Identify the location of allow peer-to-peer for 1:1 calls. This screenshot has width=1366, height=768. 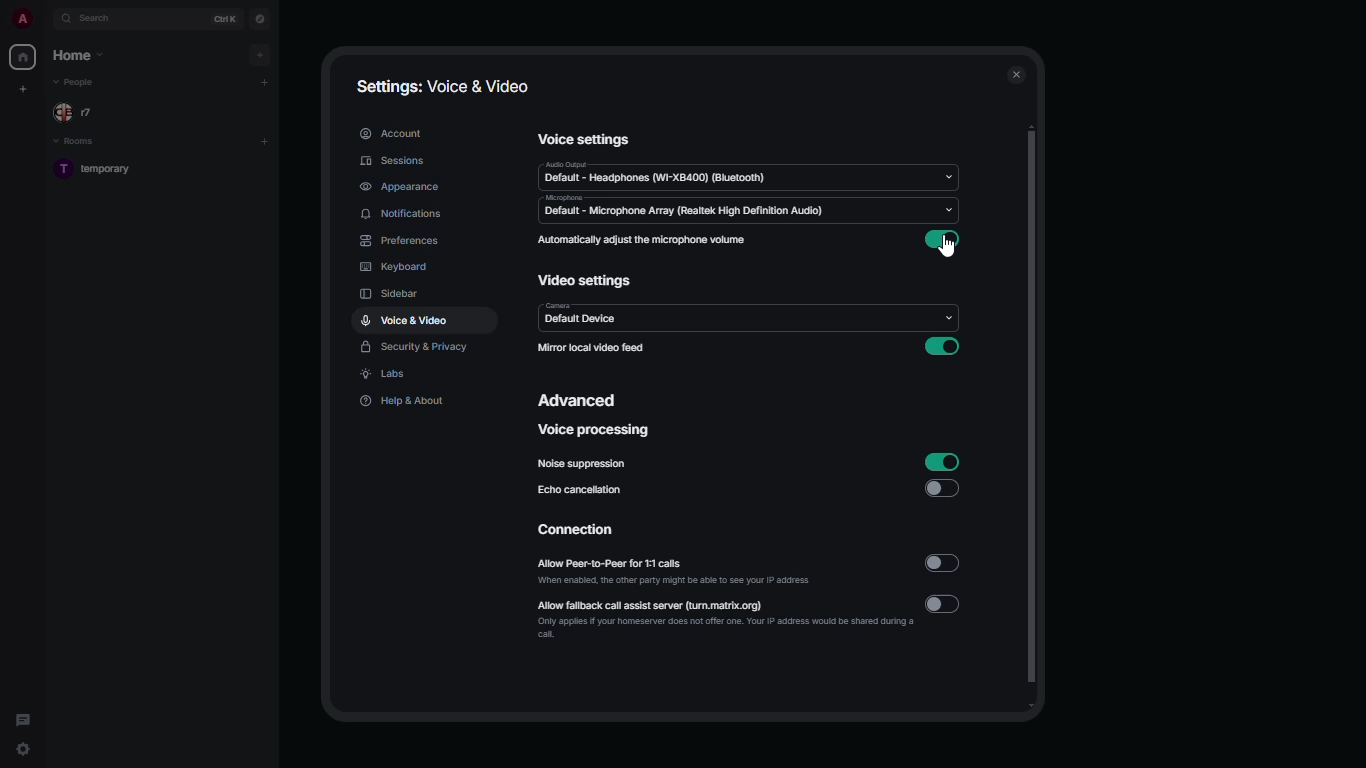
(677, 572).